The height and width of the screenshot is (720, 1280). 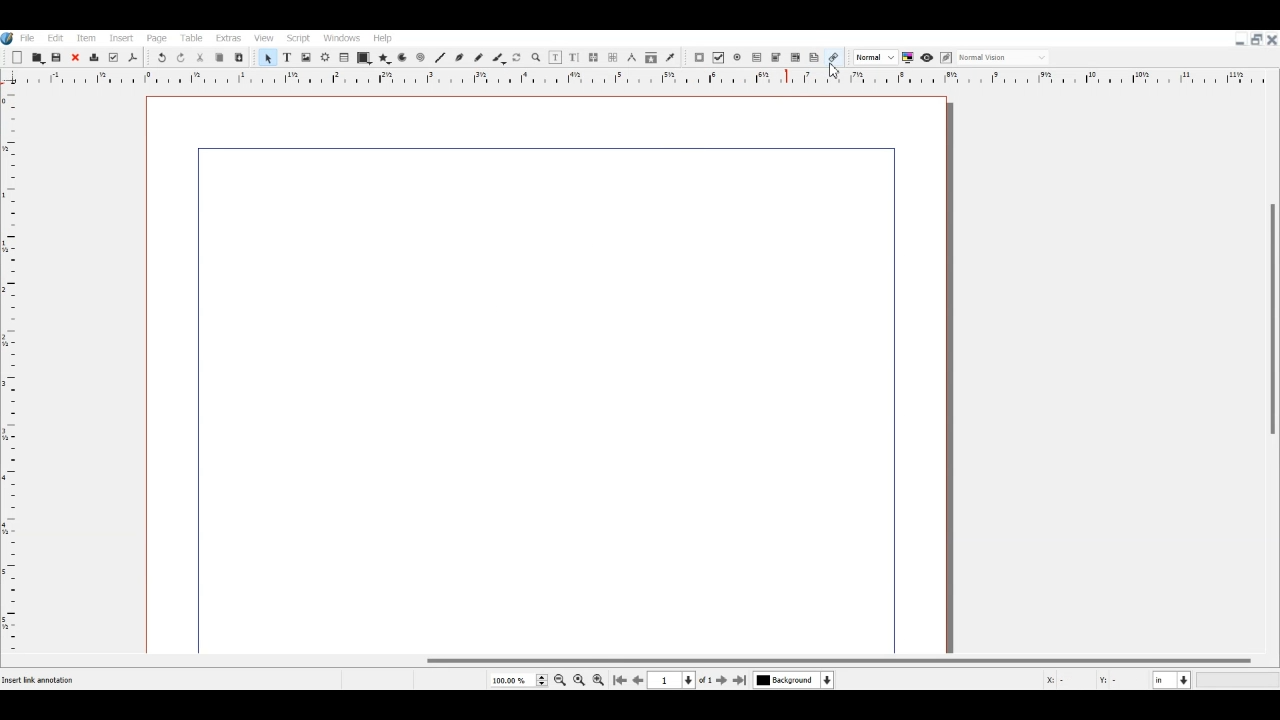 What do you see at coordinates (84, 38) in the screenshot?
I see `Item` at bounding box center [84, 38].